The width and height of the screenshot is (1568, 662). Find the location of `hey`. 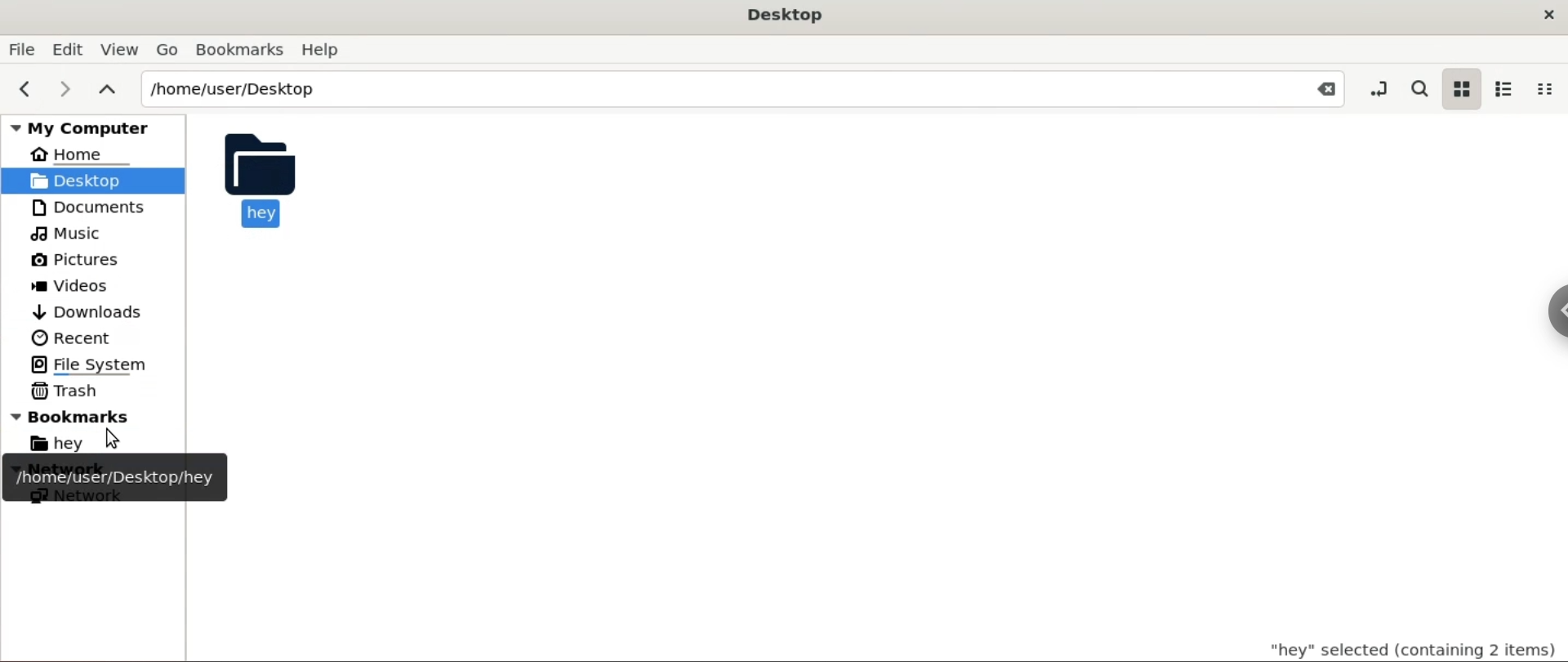

hey is located at coordinates (260, 179).